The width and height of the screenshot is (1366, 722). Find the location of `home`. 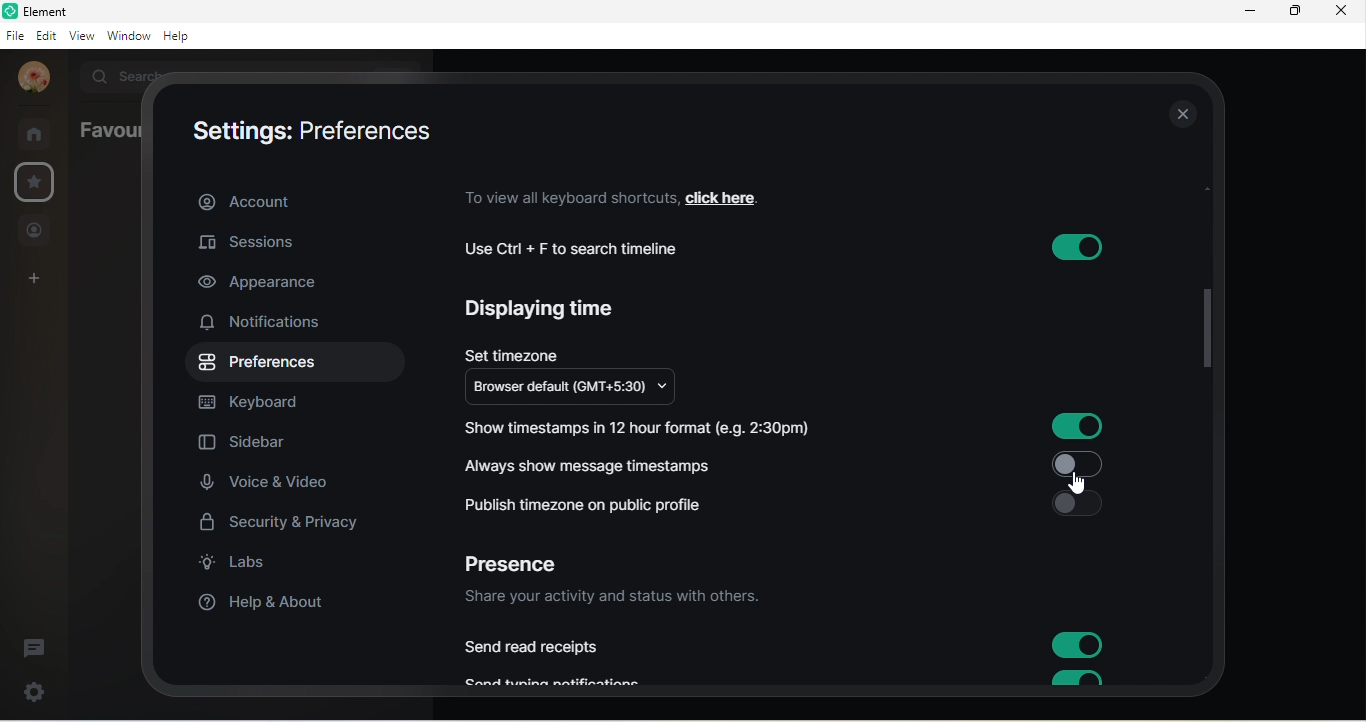

home is located at coordinates (36, 133).